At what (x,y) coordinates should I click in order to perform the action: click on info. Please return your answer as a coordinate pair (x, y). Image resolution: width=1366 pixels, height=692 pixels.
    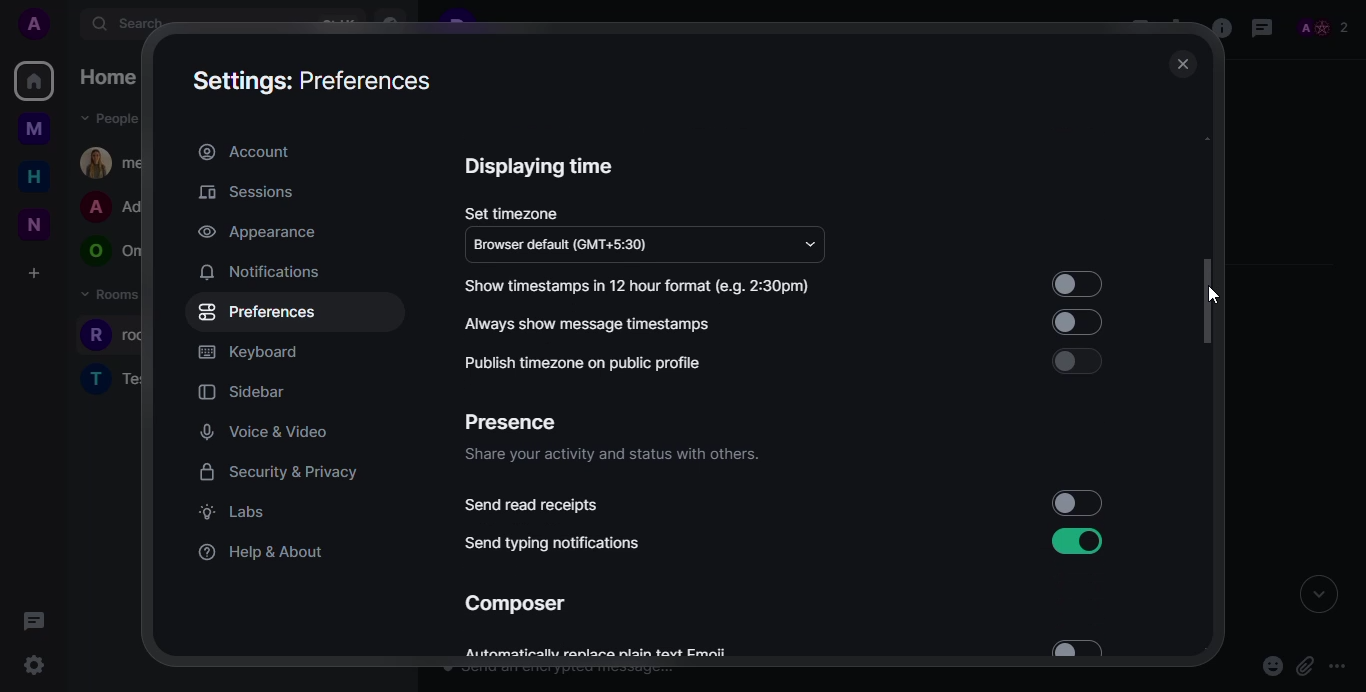
    Looking at the image, I should click on (1218, 29).